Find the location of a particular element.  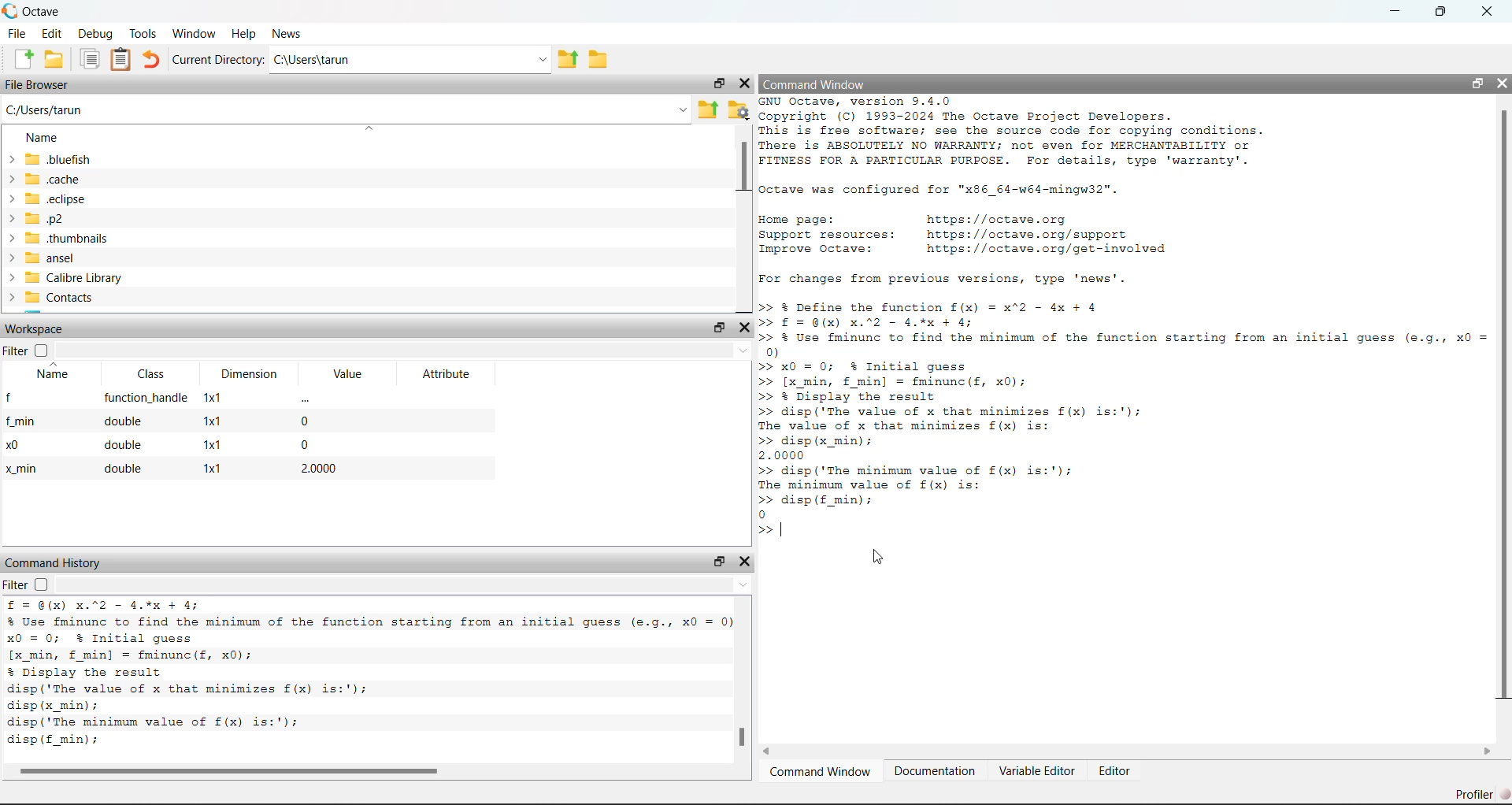

Name is located at coordinates (46, 136).